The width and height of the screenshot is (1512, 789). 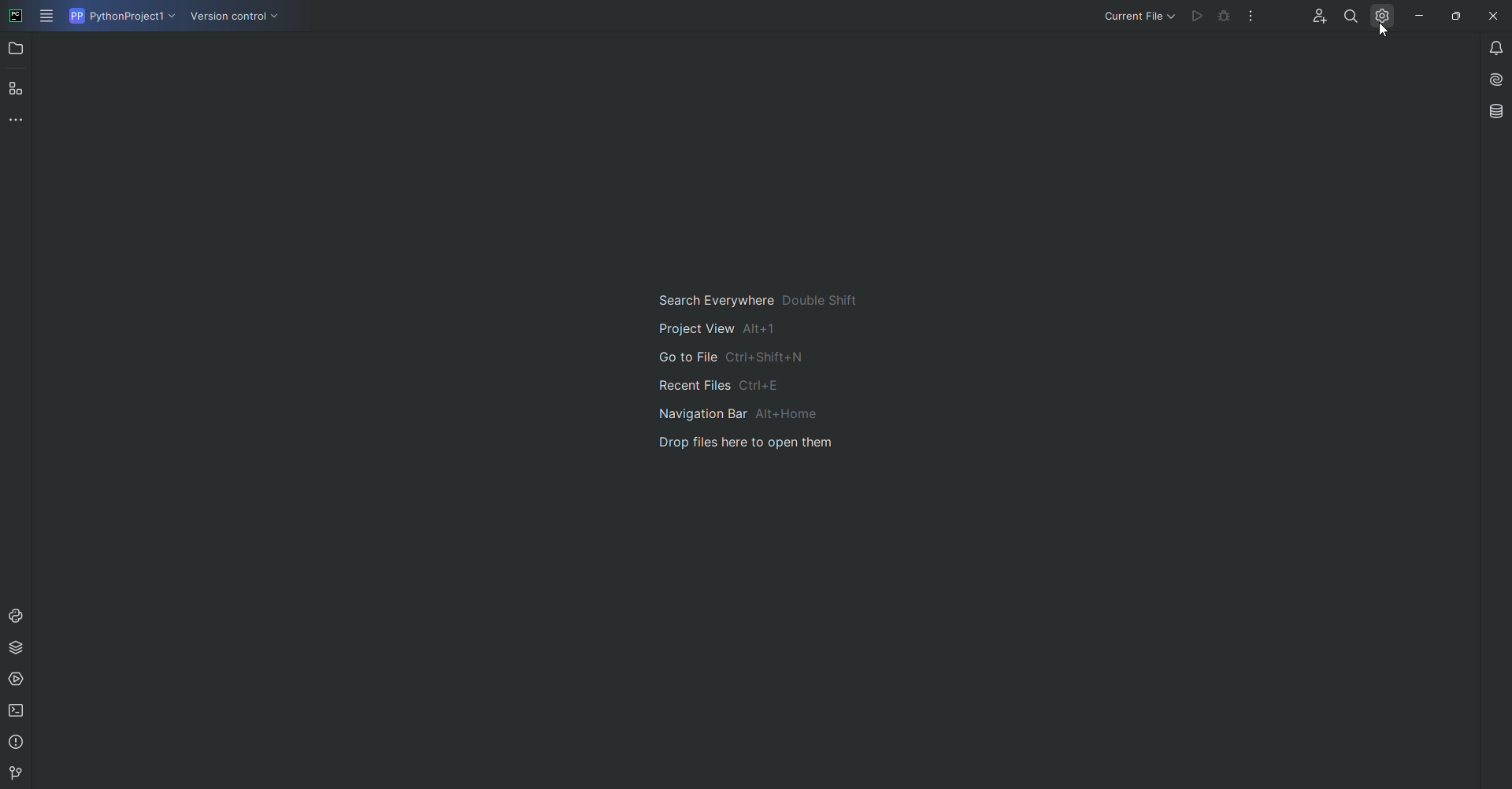 What do you see at coordinates (18, 680) in the screenshot?
I see `Services` at bounding box center [18, 680].